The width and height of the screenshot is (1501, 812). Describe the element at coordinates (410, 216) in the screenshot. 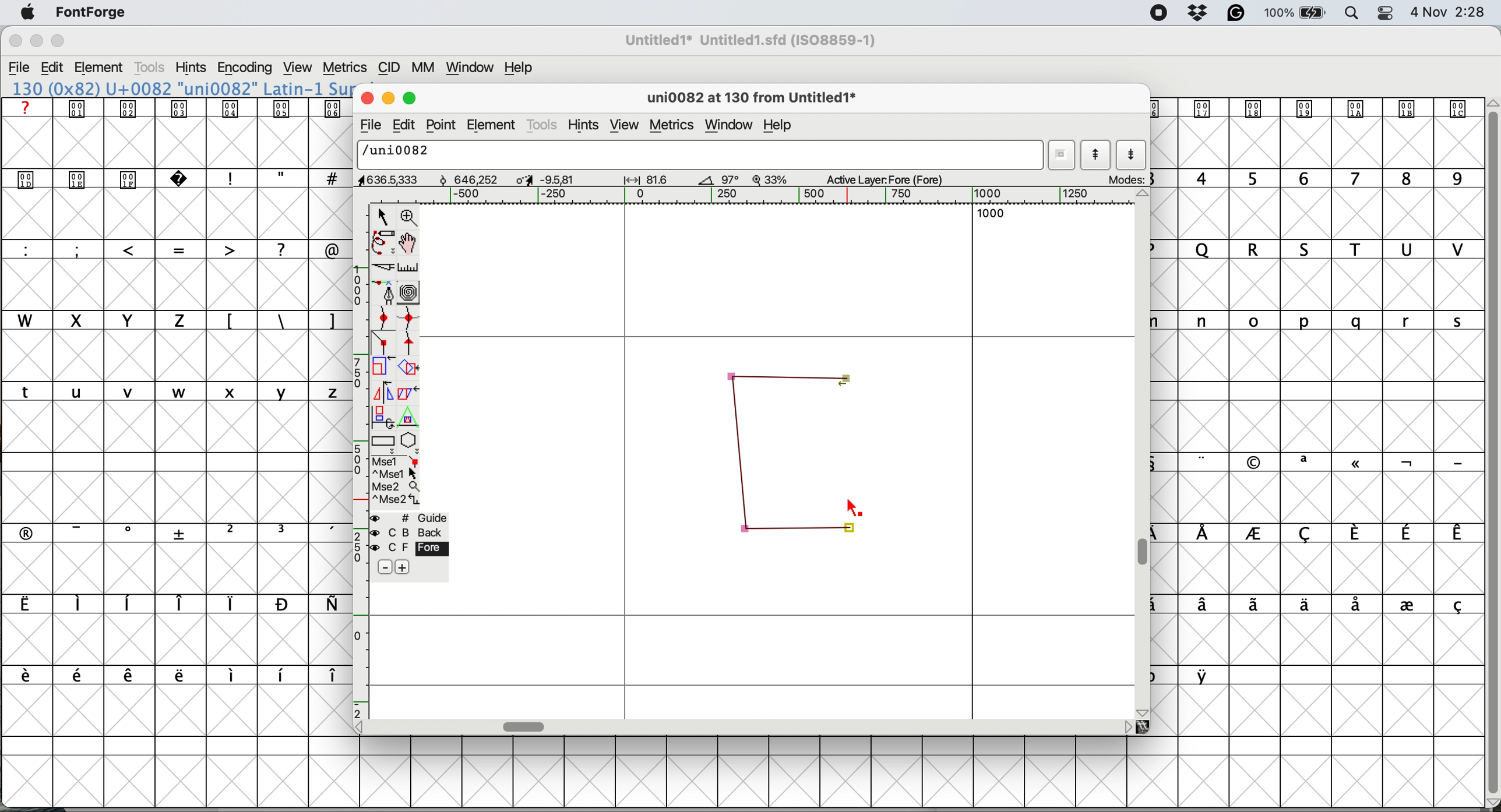

I see `zoom` at that location.